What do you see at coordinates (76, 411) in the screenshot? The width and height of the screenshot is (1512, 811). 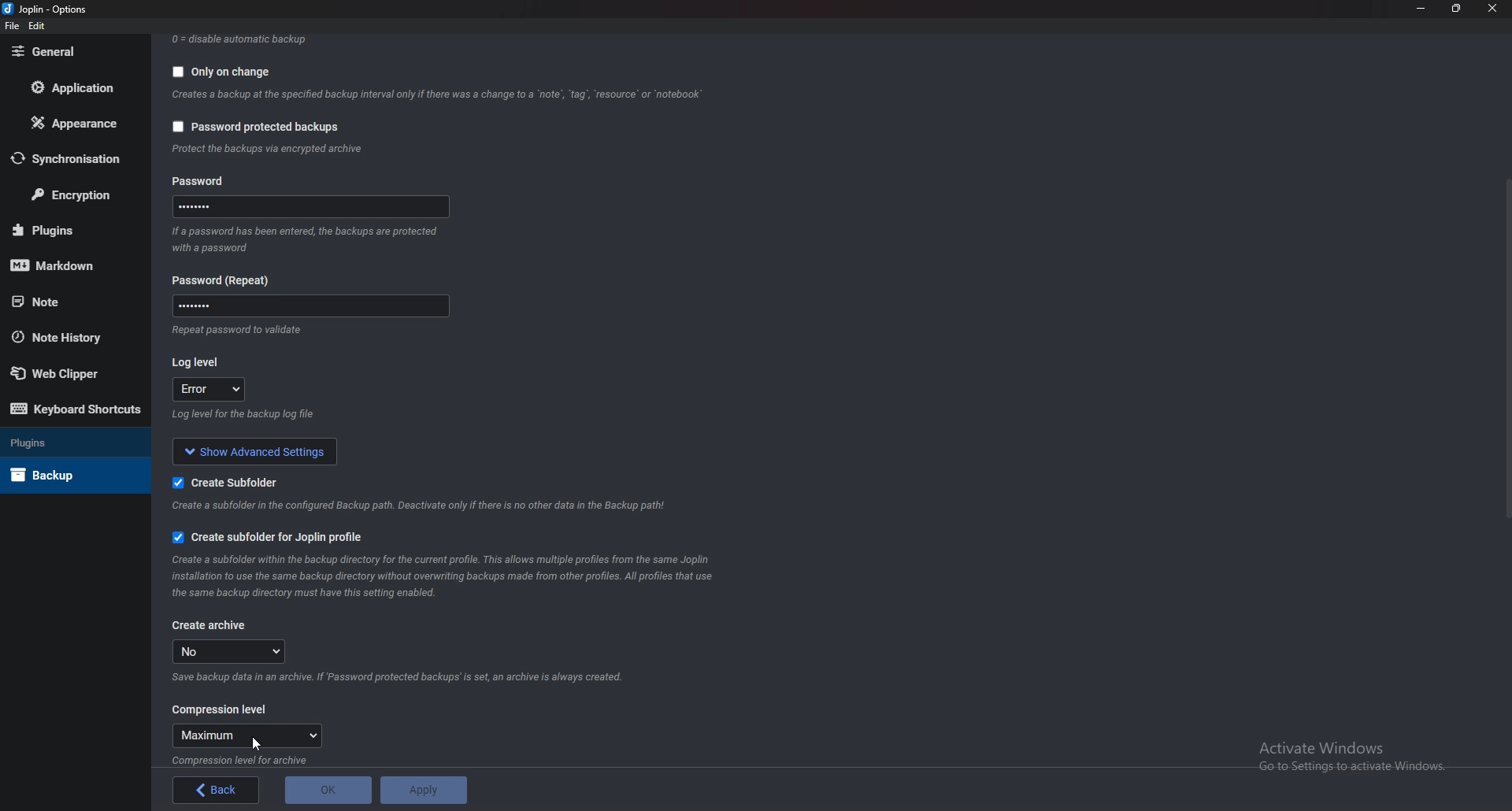 I see `Keyboard shortcuts` at bounding box center [76, 411].